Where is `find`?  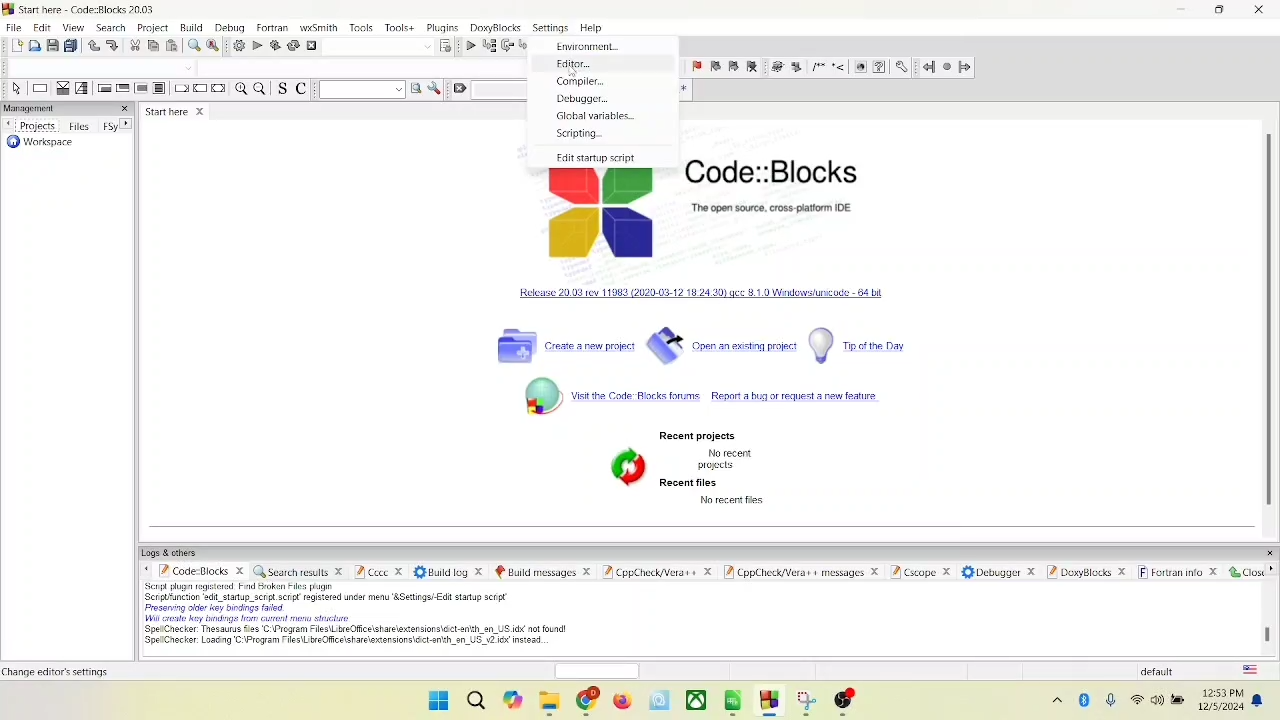 find is located at coordinates (193, 45).